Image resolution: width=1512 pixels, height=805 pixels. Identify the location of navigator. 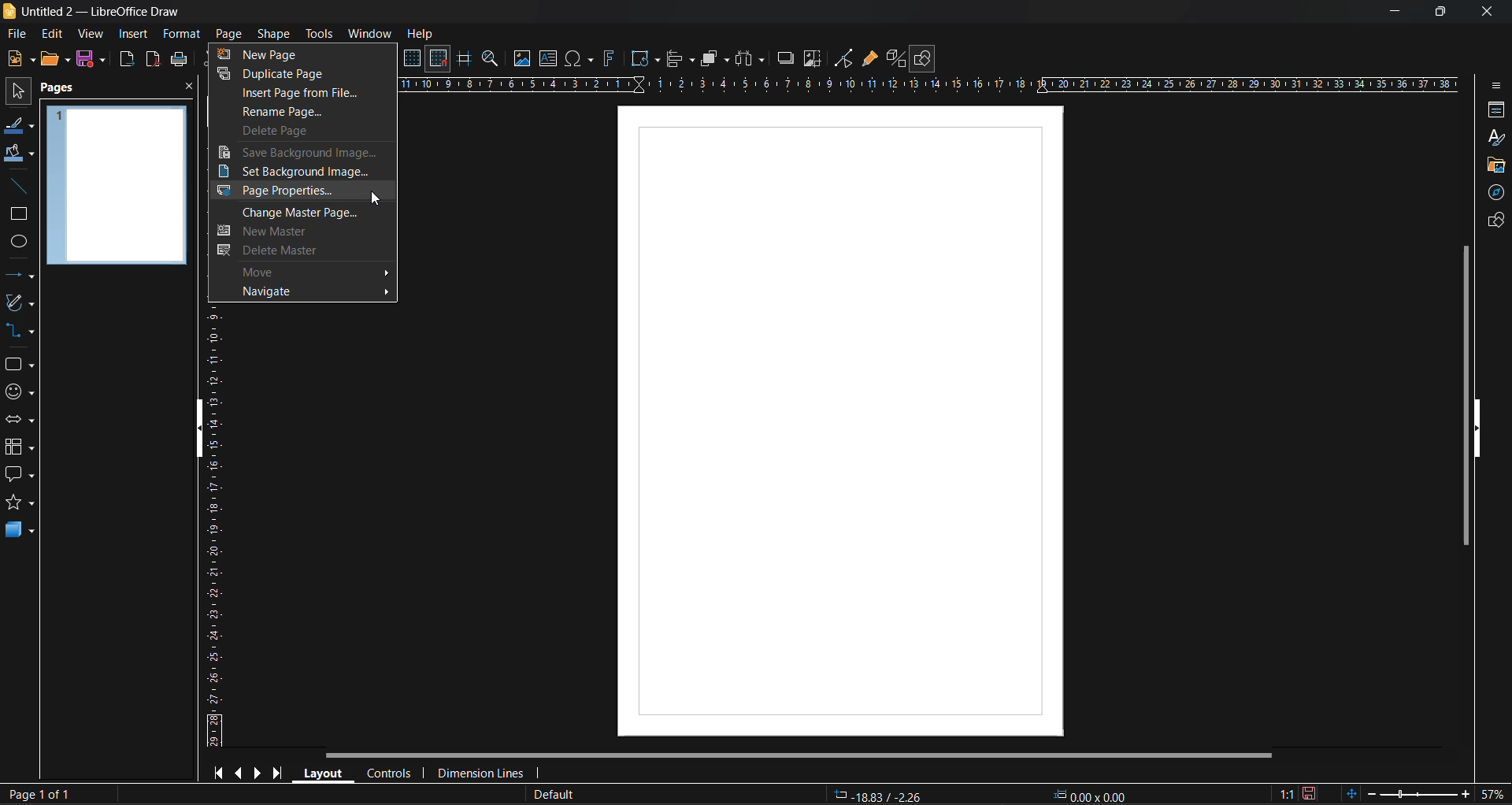
(1494, 193).